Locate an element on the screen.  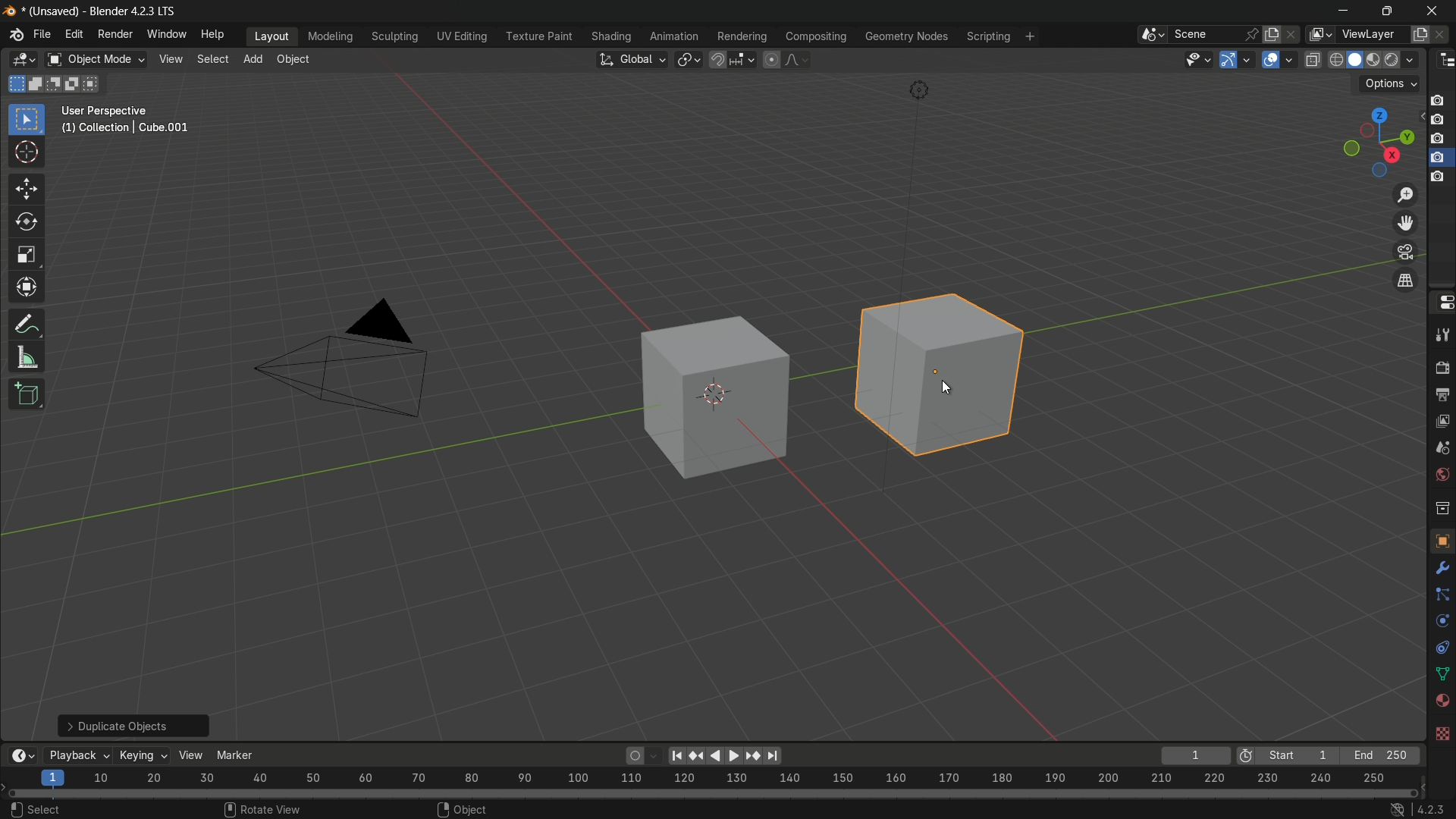
scale is located at coordinates (27, 256).